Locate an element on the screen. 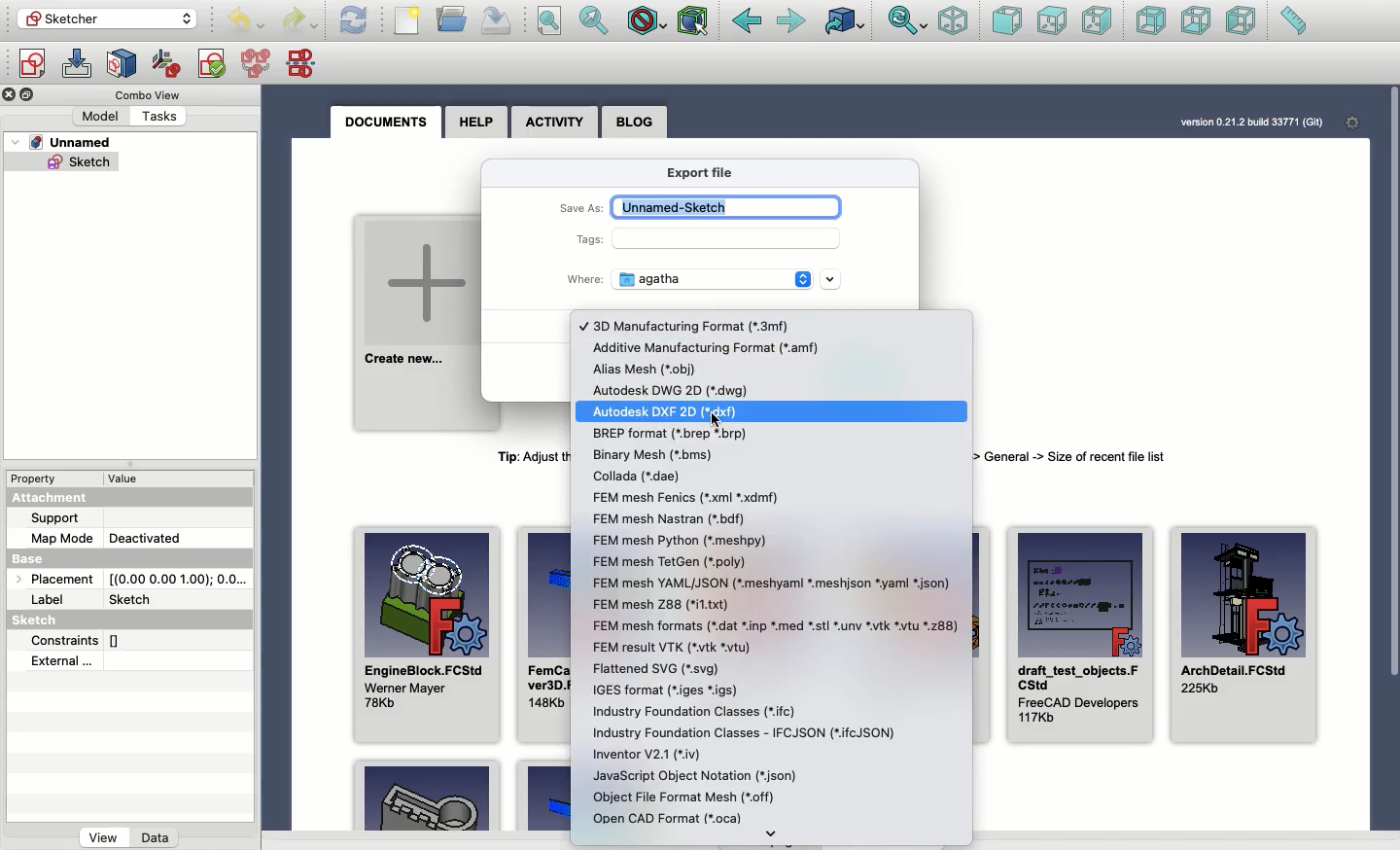 This screenshot has height=850, width=1400. .obj is located at coordinates (648, 369).